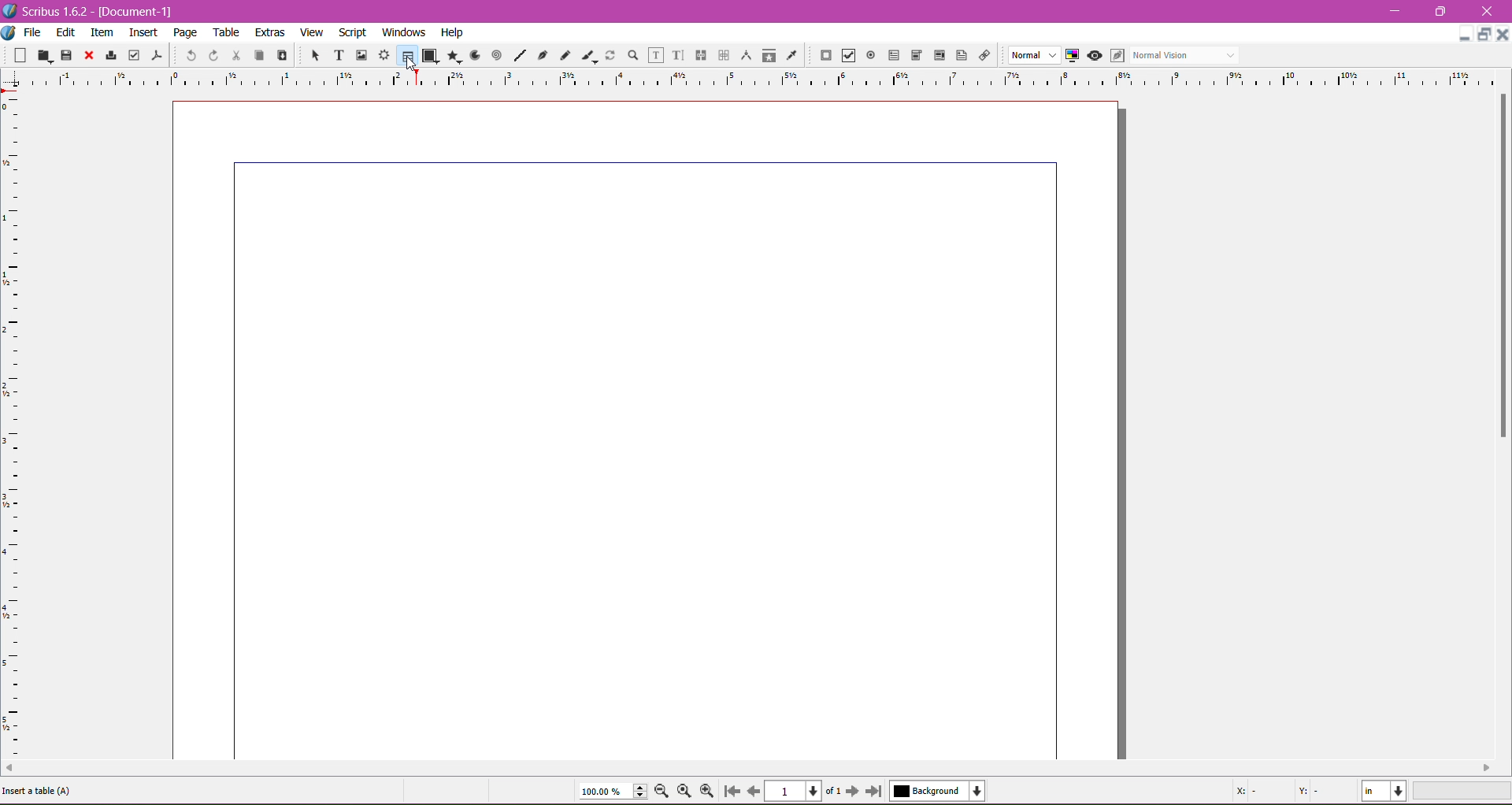 Image resolution: width=1512 pixels, height=805 pixels. What do you see at coordinates (312, 32) in the screenshot?
I see `View` at bounding box center [312, 32].